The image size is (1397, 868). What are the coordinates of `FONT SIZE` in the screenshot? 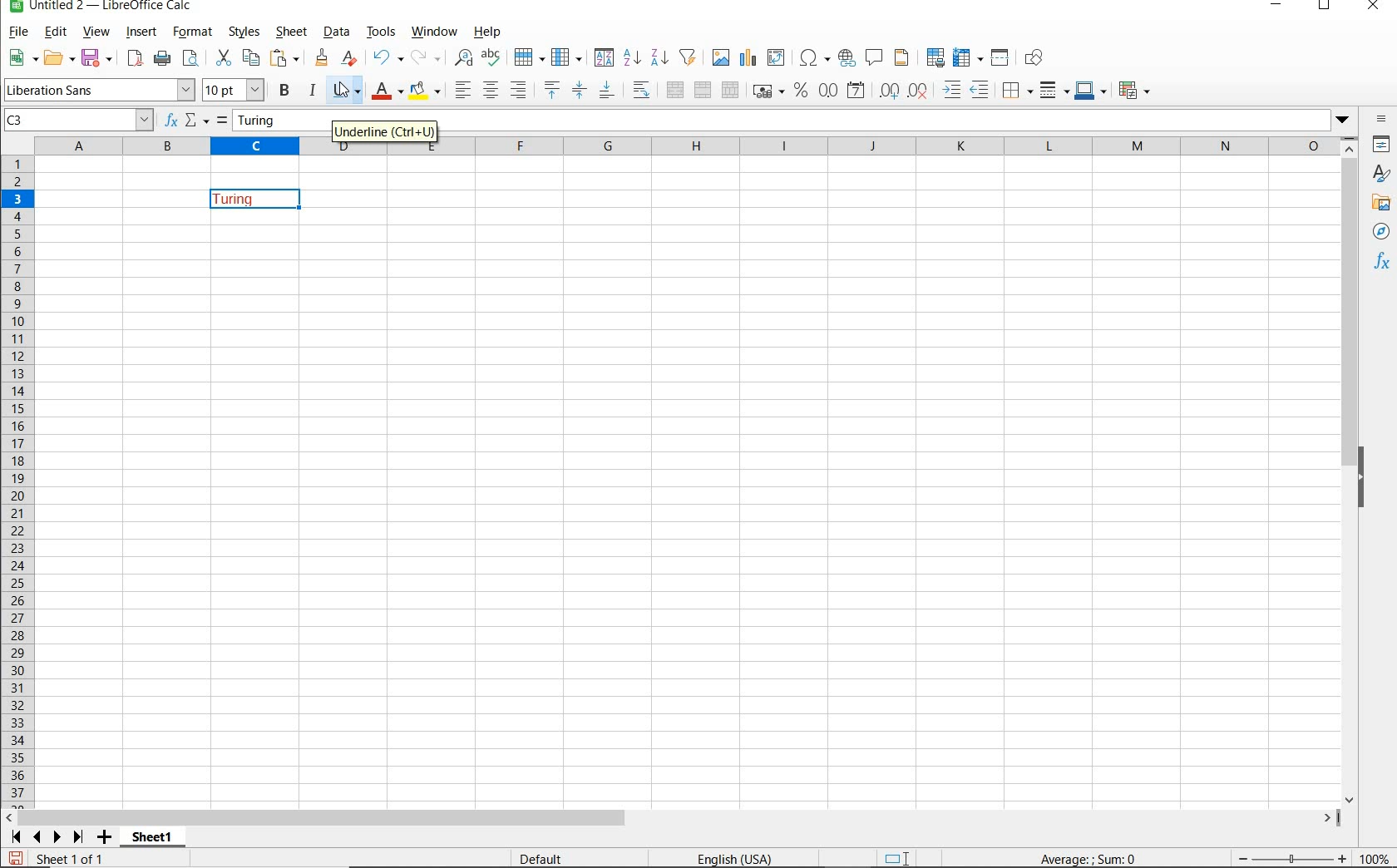 It's located at (233, 89).